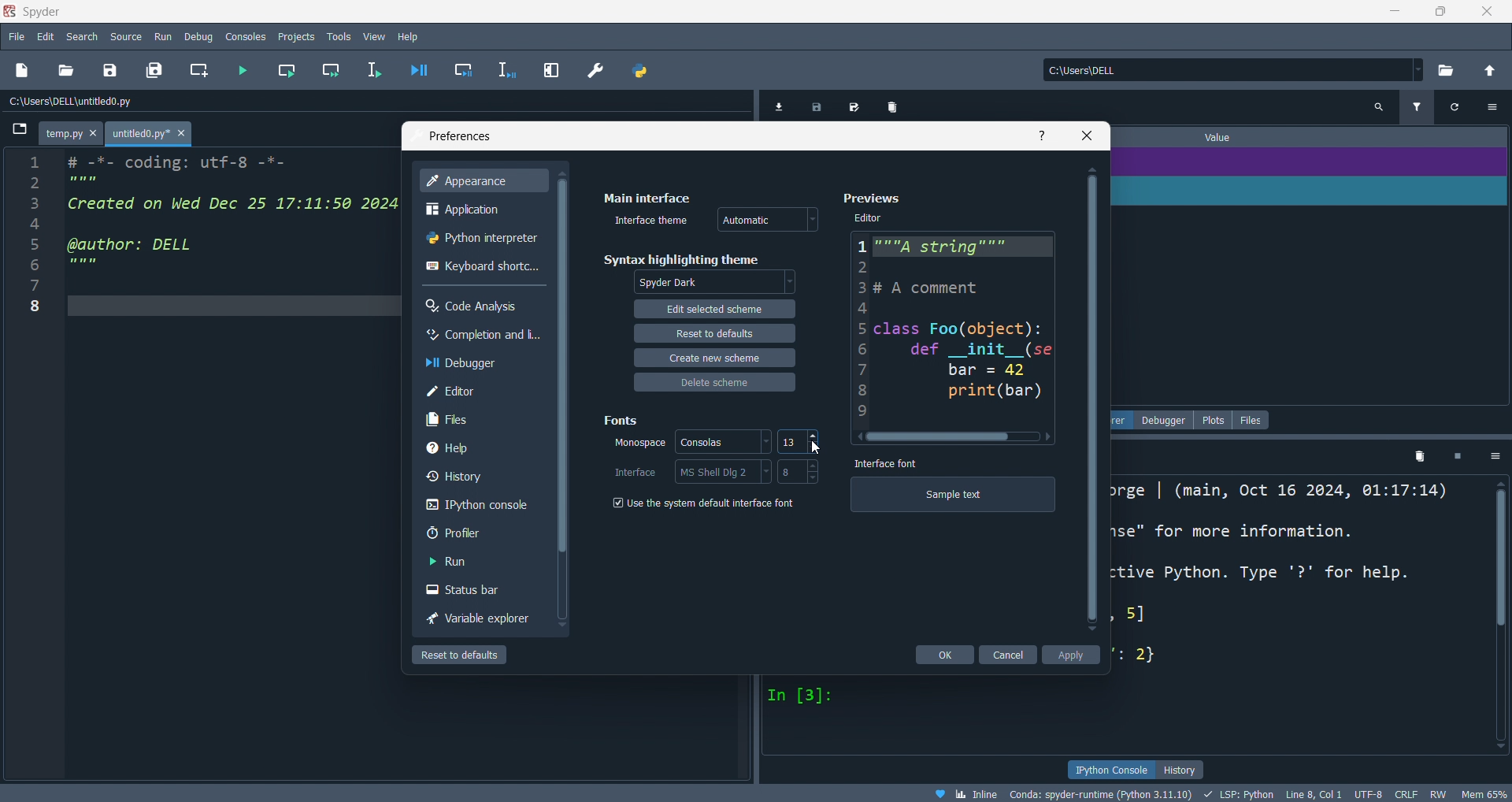 This screenshot has height=802, width=1512. What do you see at coordinates (701, 272) in the screenshot?
I see `syntax highlight theme: Spyder Dark` at bounding box center [701, 272].